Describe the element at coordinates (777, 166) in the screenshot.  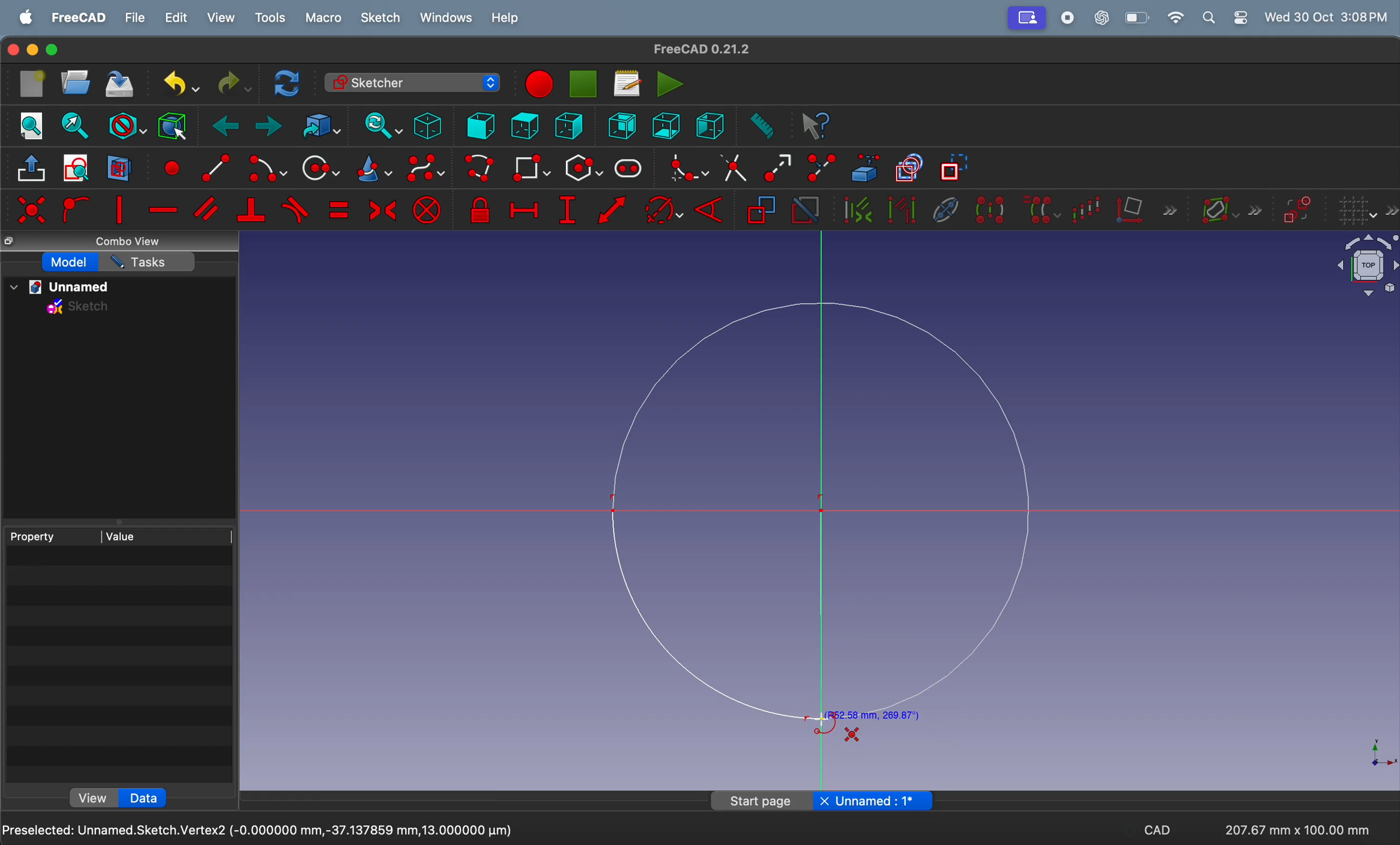
I see `extend edge` at that location.